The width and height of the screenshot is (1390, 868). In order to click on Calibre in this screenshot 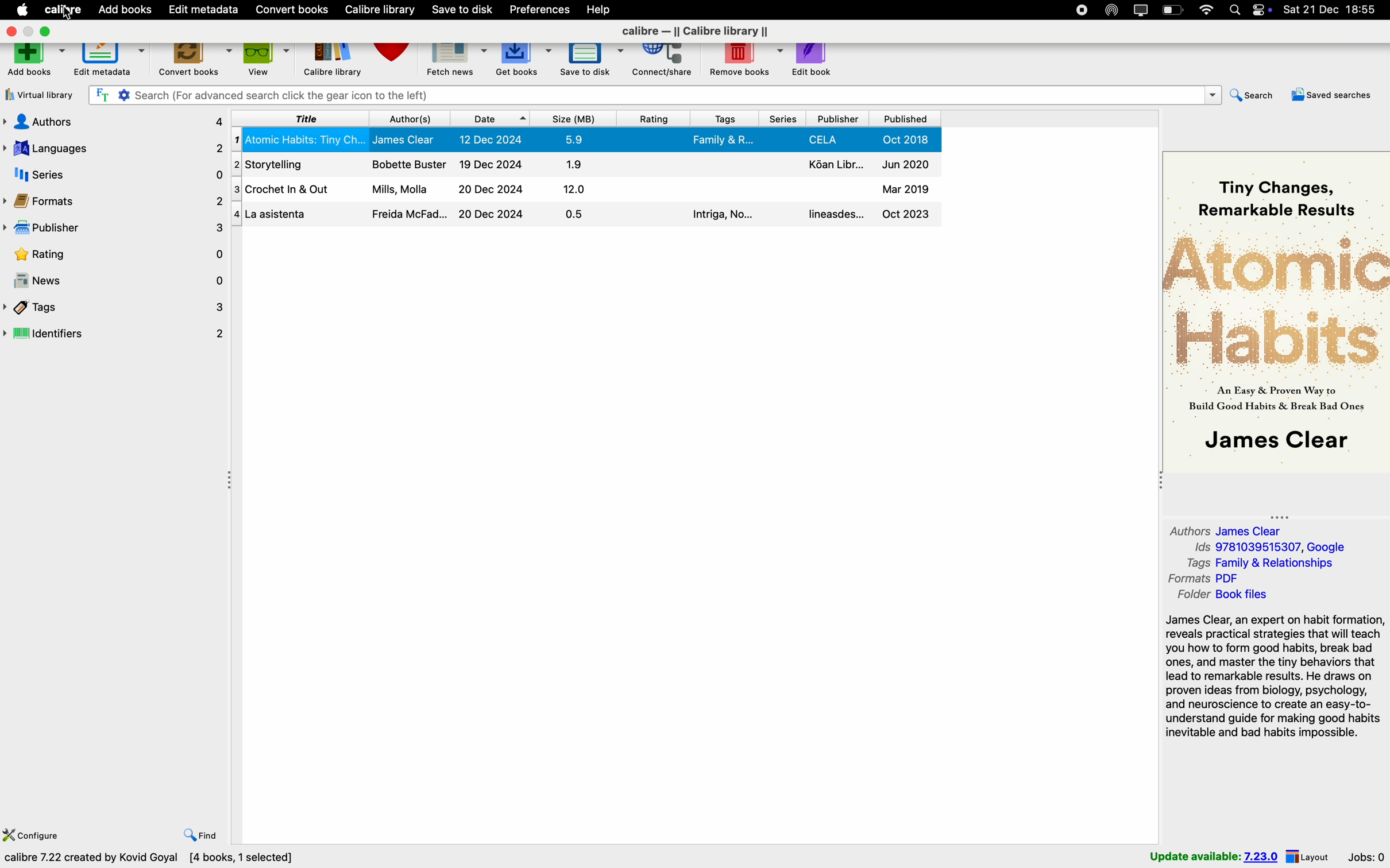, I will do `click(52, 9)`.